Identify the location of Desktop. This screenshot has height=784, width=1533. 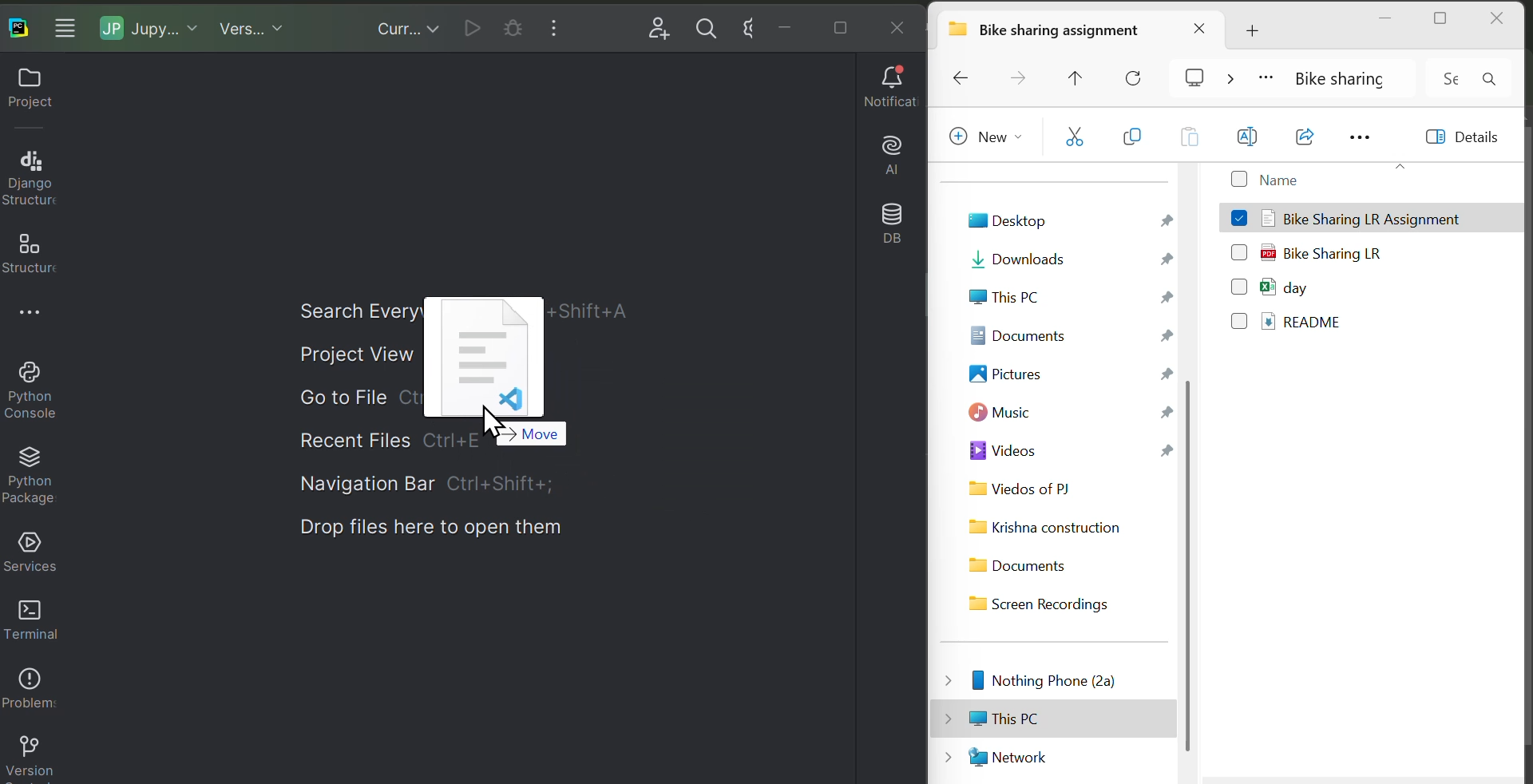
(1067, 220).